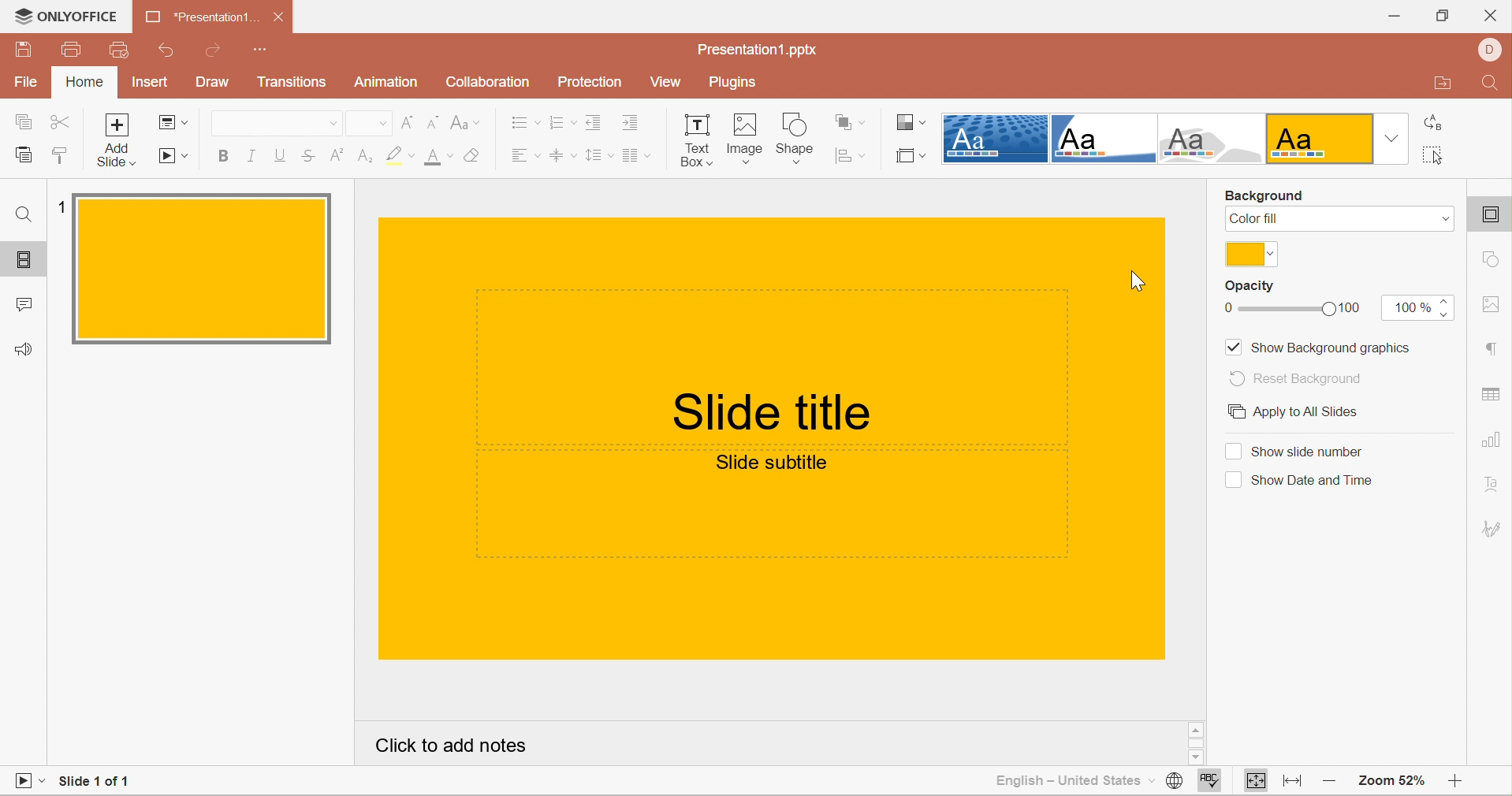 The height and width of the screenshot is (796, 1512). I want to click on Apply to all slides, so click(1340, 412).